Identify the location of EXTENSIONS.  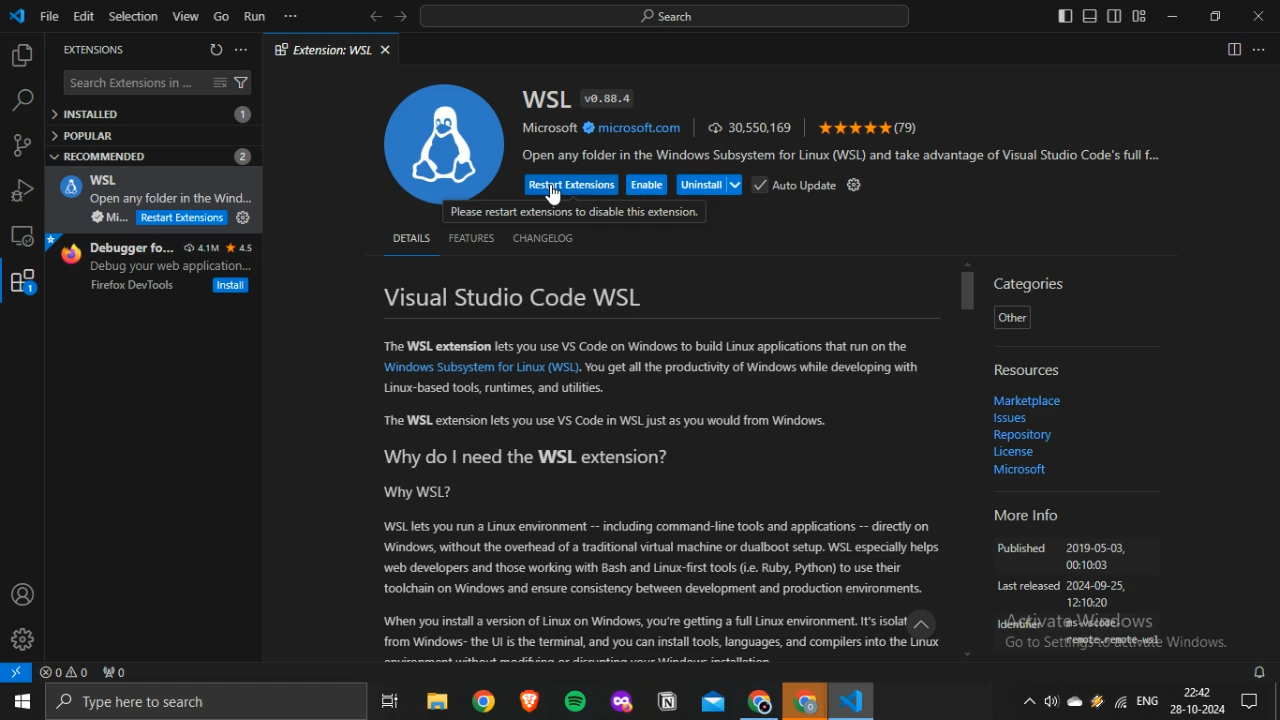
(92, 51).